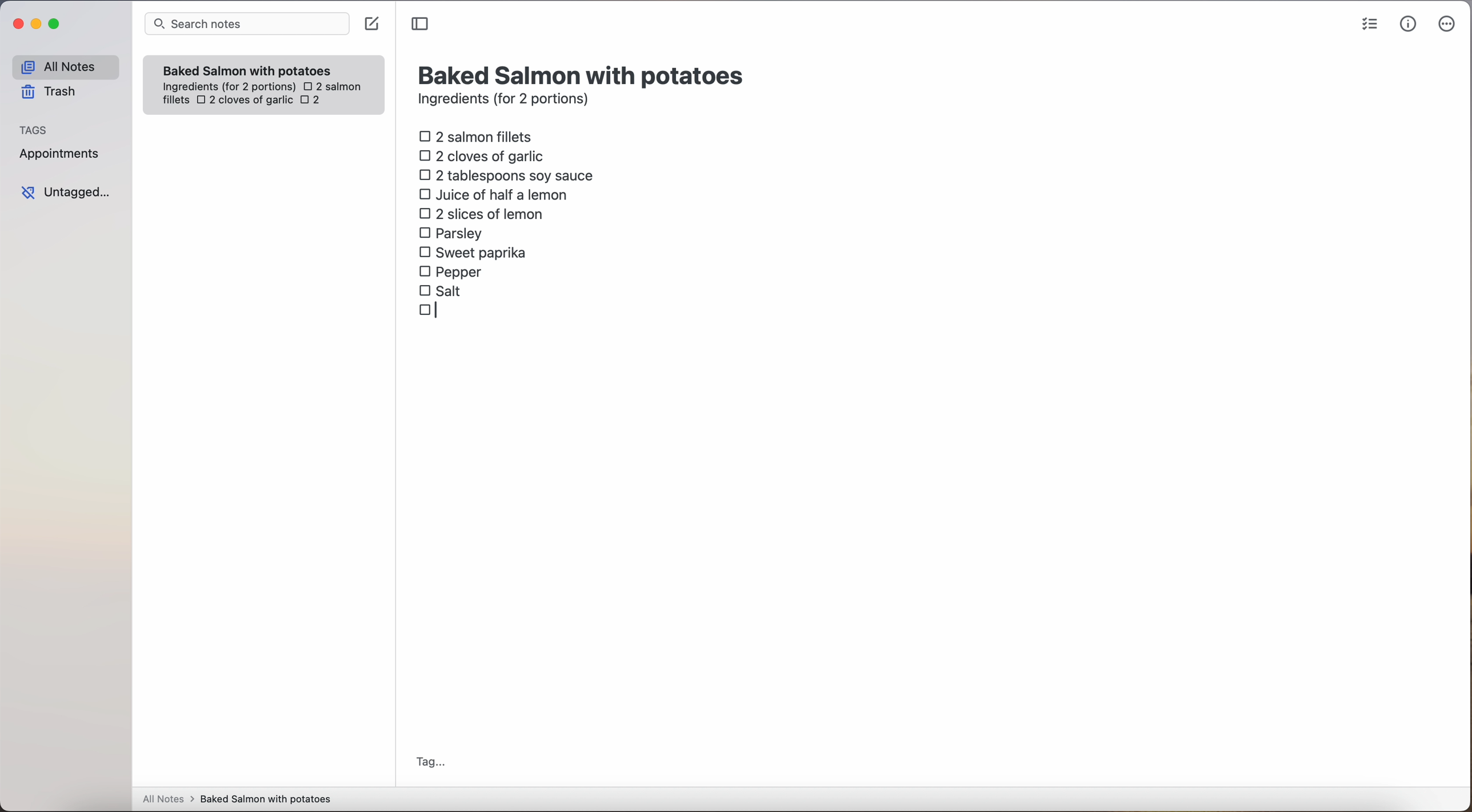 Image resolution: width=1472 pixels, height=812 pixels. What do you see at coordinates (1449, 25) in the screenshot?
I see `more options` at bounding box center [1449, 25].